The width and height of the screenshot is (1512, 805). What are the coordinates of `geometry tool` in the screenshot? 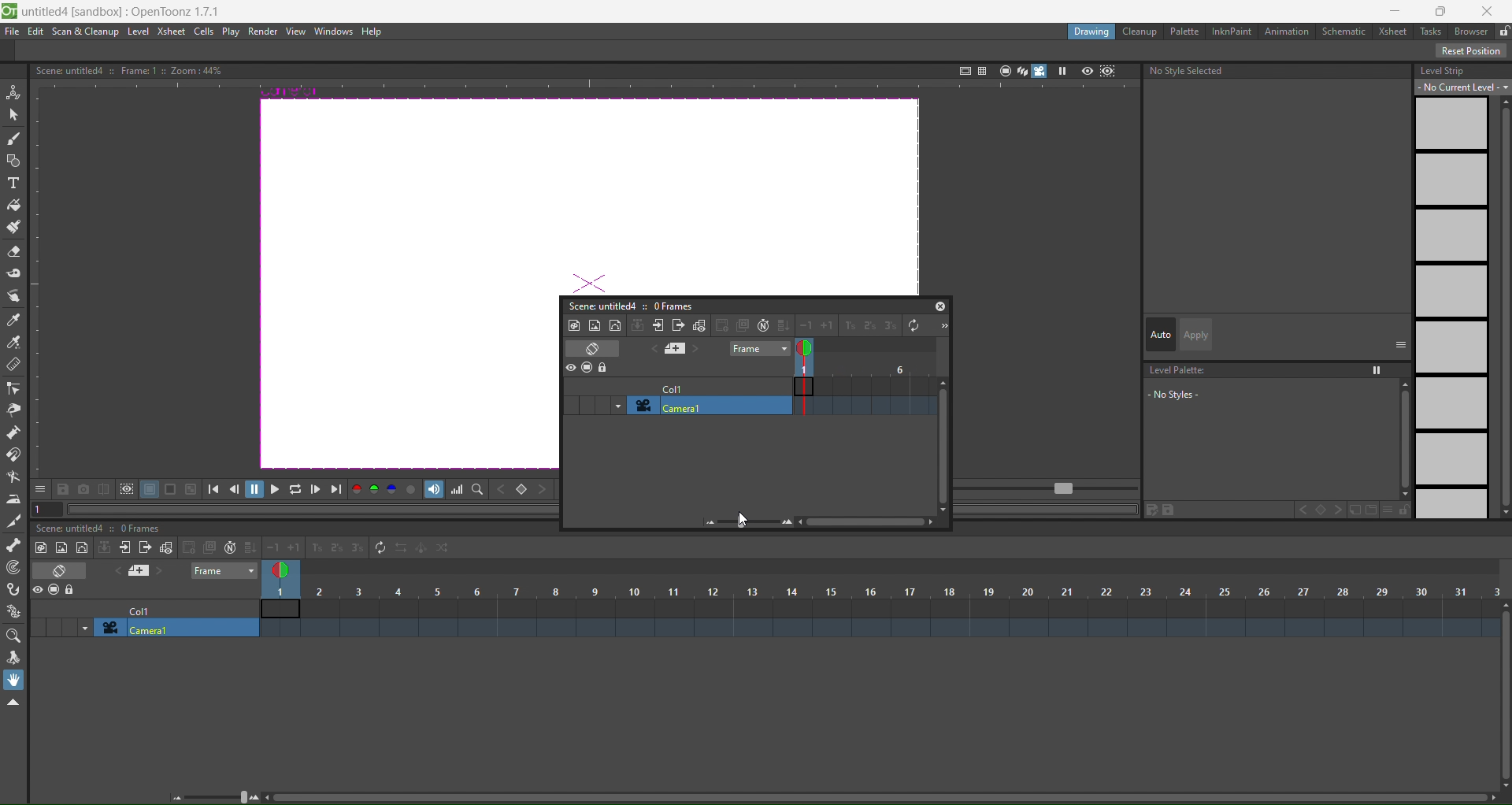 It's located at (14, 162).